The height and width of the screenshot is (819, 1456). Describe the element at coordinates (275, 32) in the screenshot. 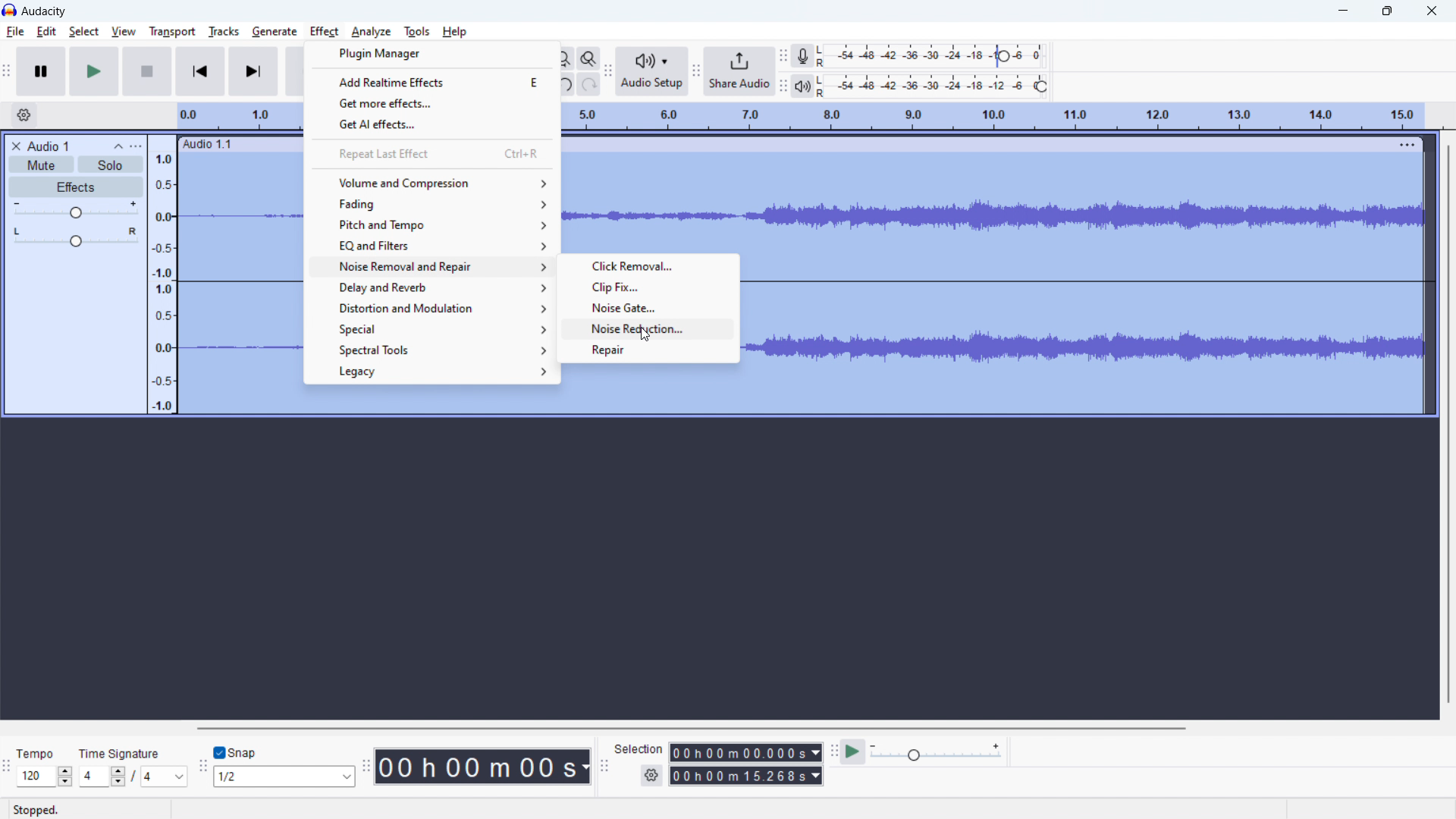

I see `generate` at that location.